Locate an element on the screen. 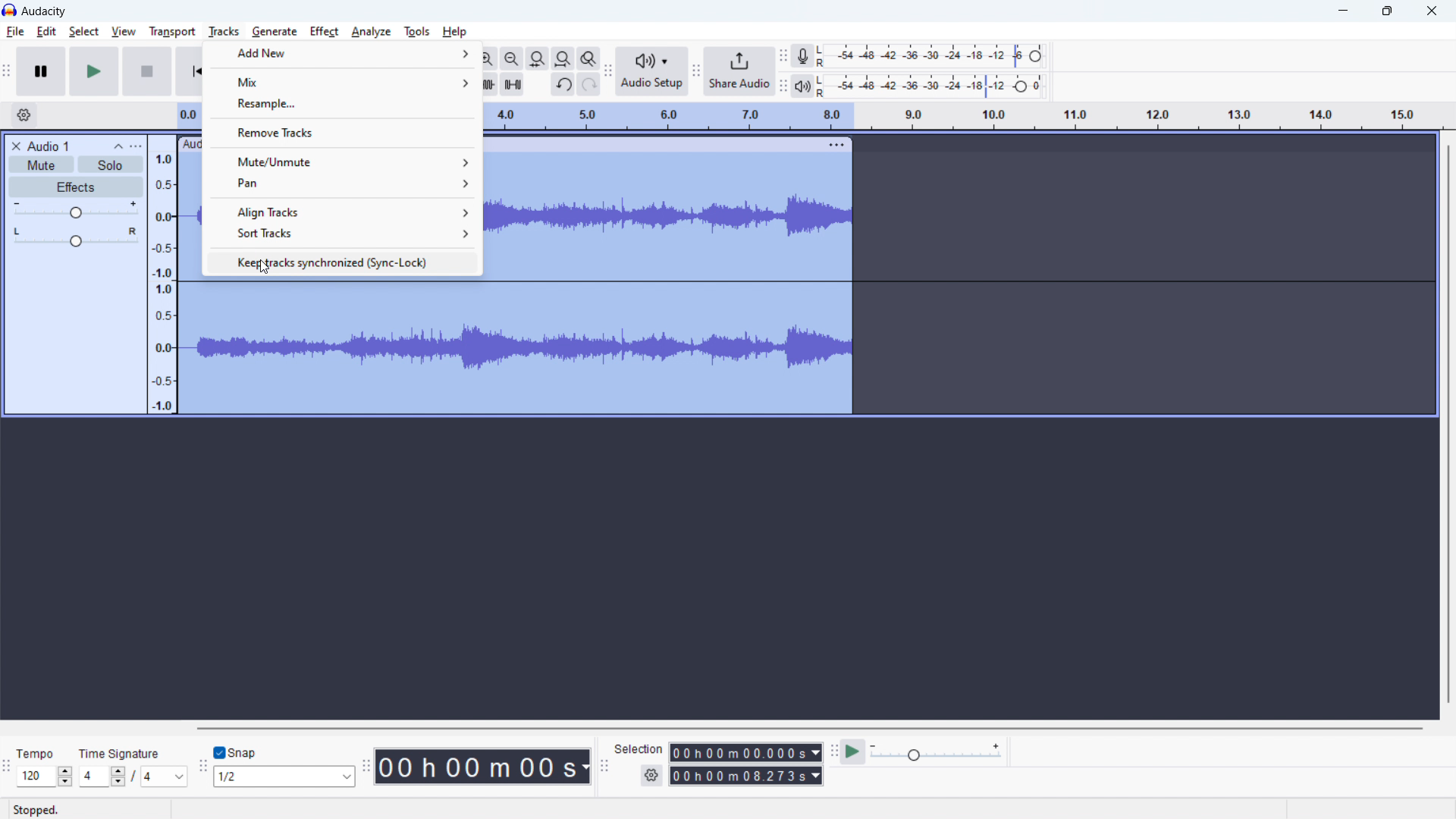 Image resolution: width=1456 pixels, height=819 pixels. transport is located at coordinates (172, 31).